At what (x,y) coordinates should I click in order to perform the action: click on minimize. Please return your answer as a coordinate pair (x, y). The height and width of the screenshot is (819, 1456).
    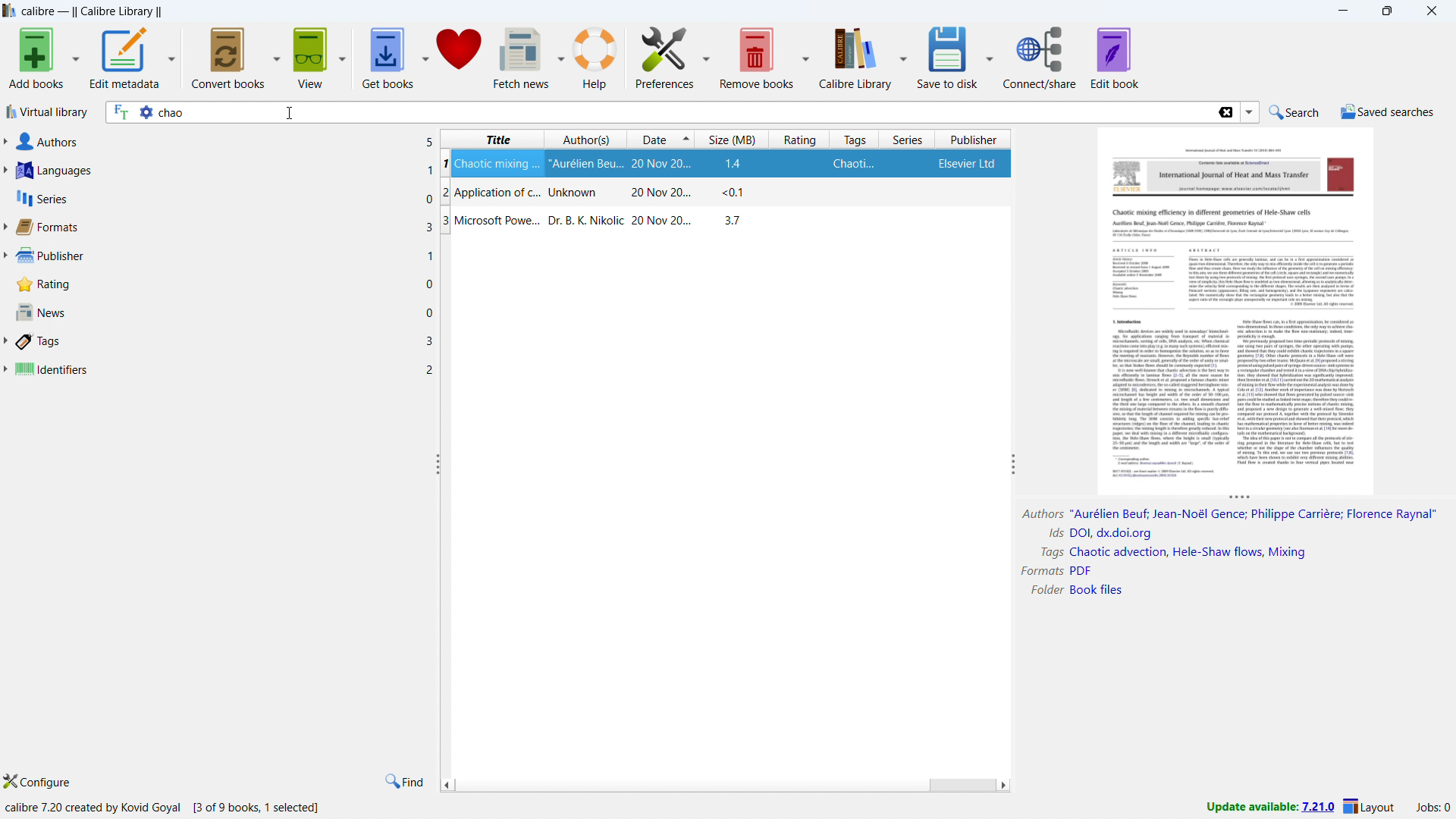
    Looking at the image, I should click on (1344, 9).